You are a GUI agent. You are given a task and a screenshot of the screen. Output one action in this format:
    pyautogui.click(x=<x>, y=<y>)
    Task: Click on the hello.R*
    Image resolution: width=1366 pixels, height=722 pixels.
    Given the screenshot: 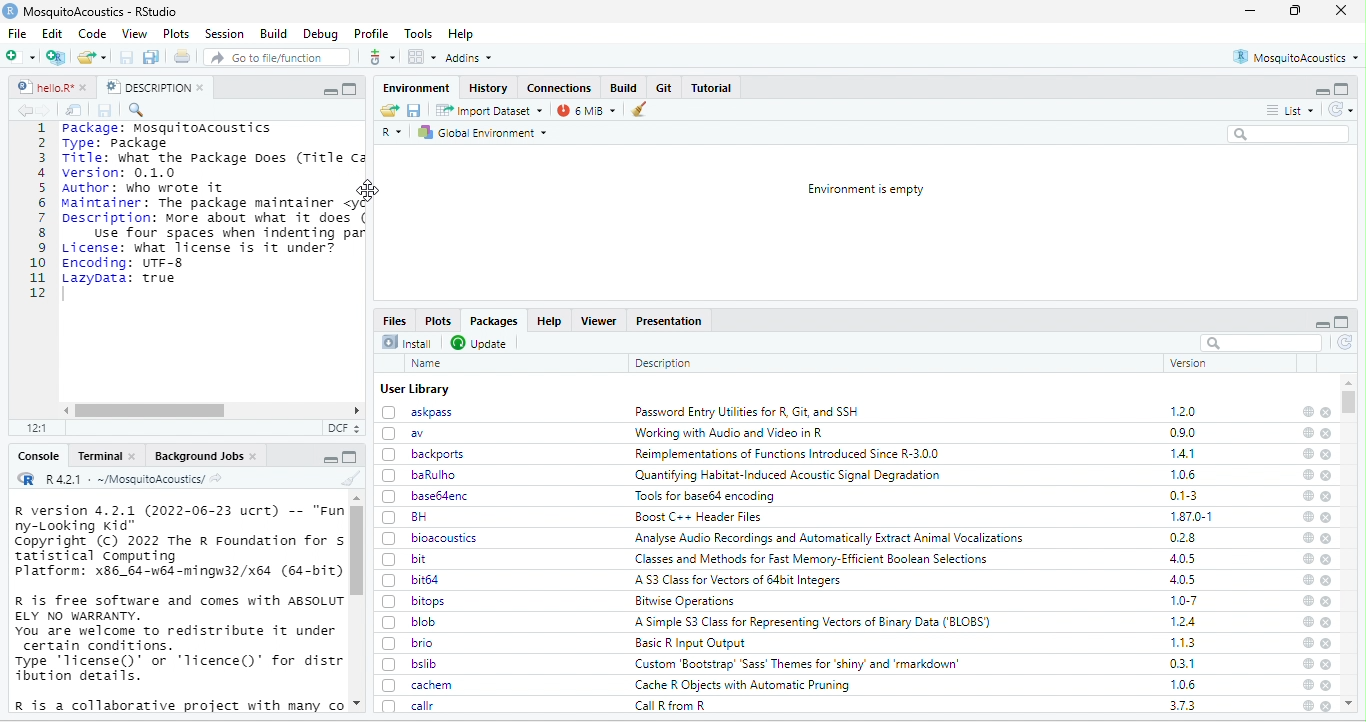 What is the action you would take?
    pyautogui.click(x=51, y=87)
    